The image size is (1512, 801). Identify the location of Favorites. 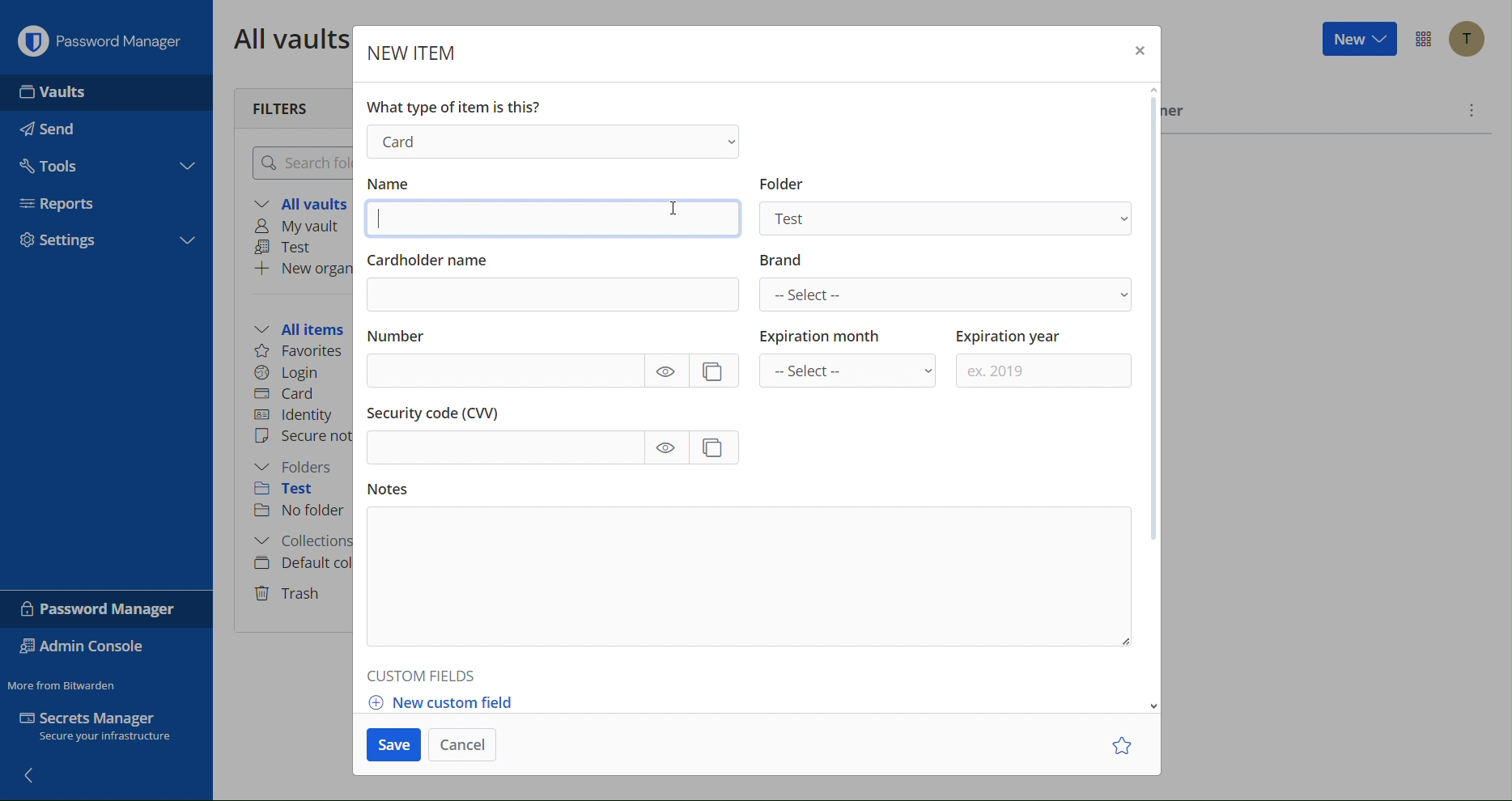
(303, 353).